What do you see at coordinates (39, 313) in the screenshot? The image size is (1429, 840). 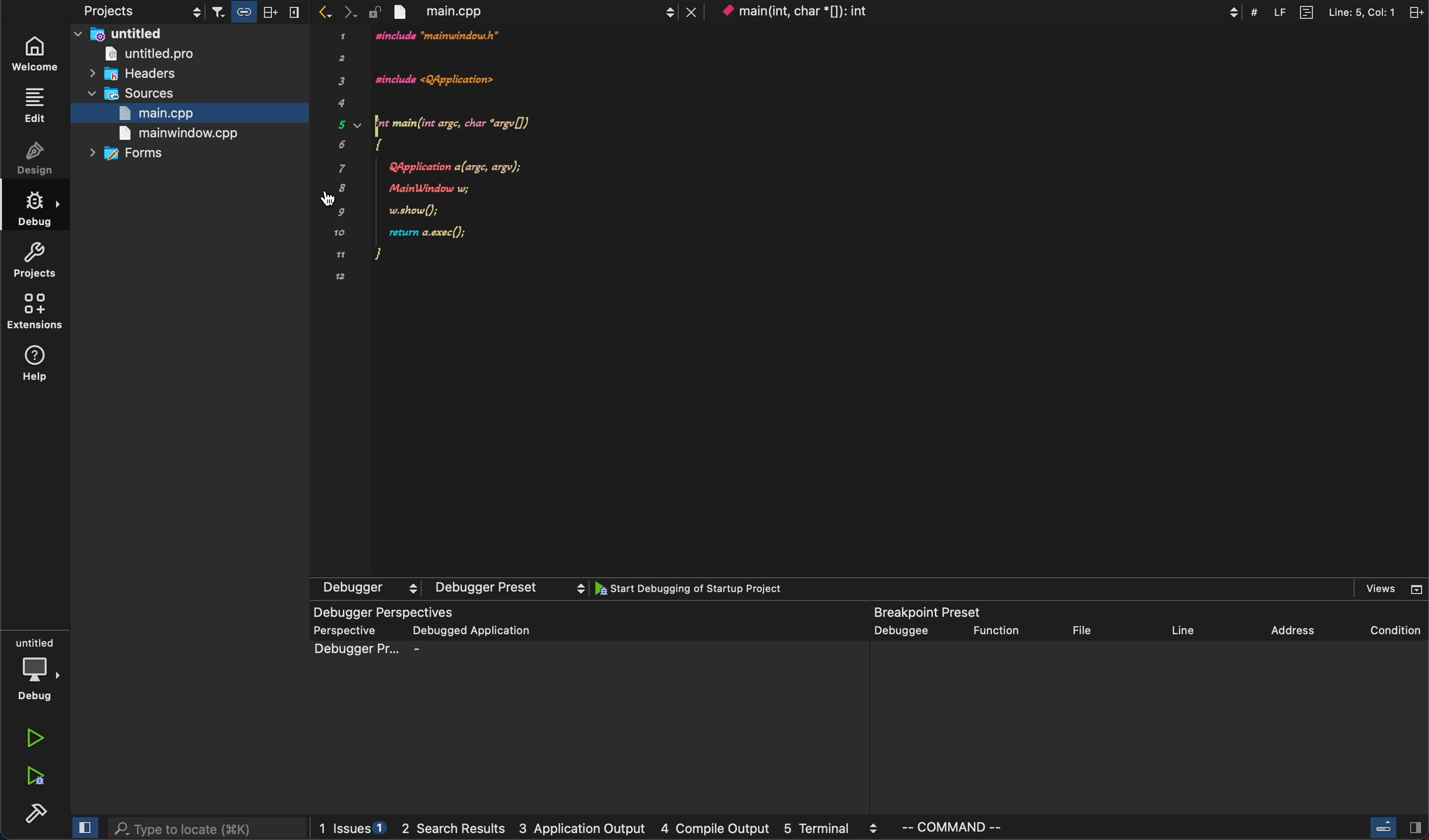 I see `extensions` at bounding box center [39, 313].